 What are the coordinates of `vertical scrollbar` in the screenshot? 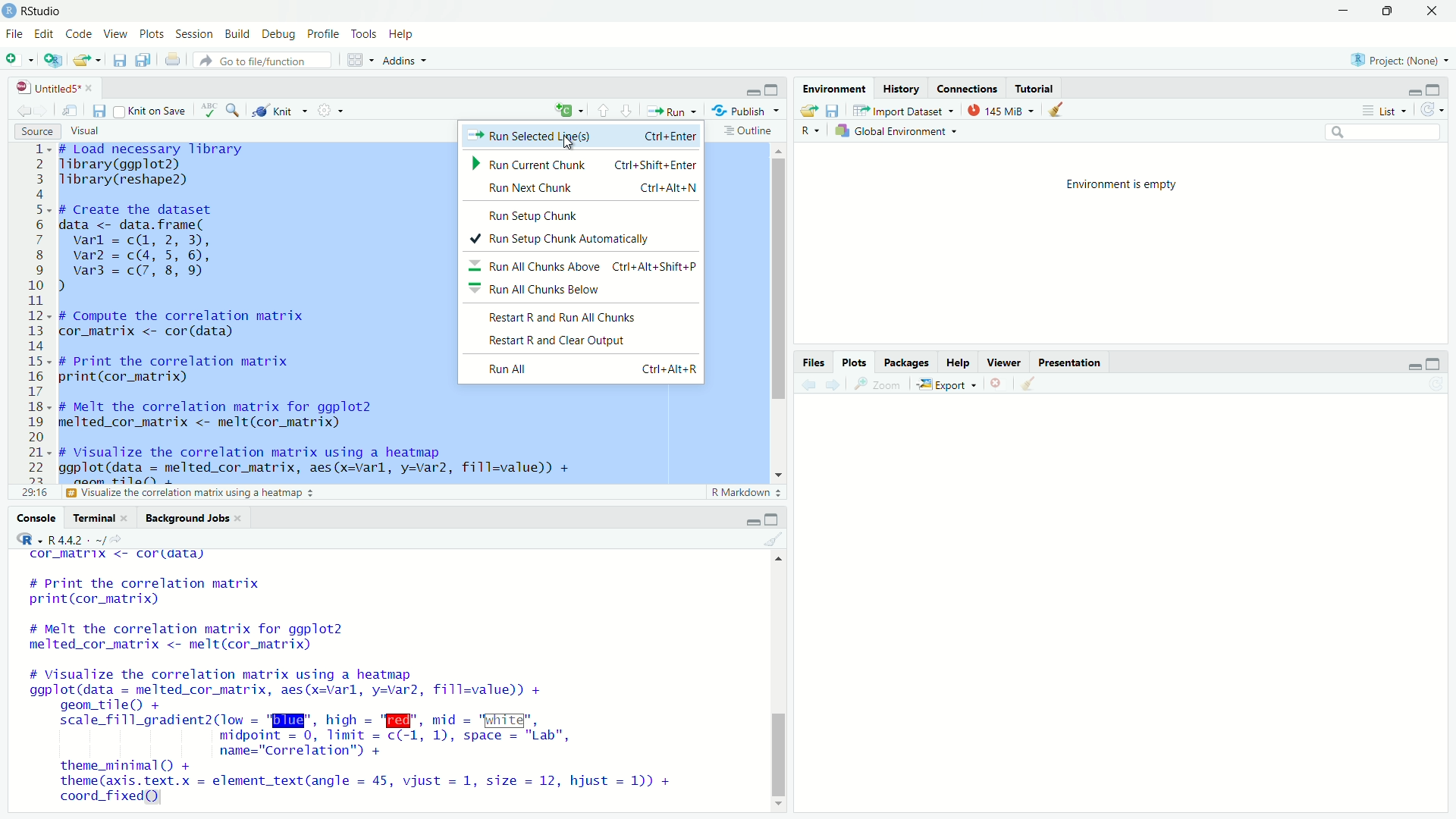 It's located at (780, 756).